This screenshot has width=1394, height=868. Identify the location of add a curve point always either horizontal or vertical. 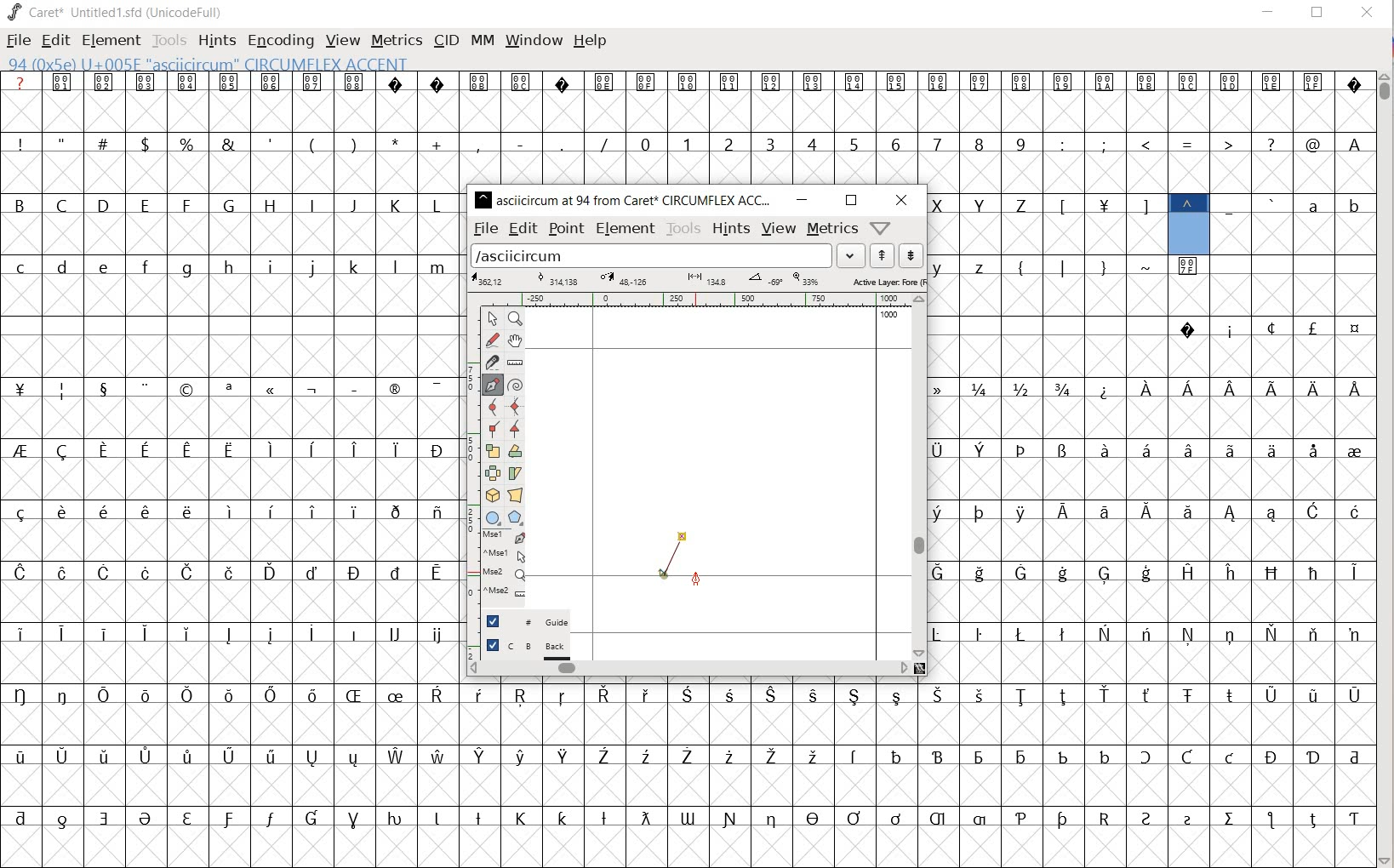
(515, 407).